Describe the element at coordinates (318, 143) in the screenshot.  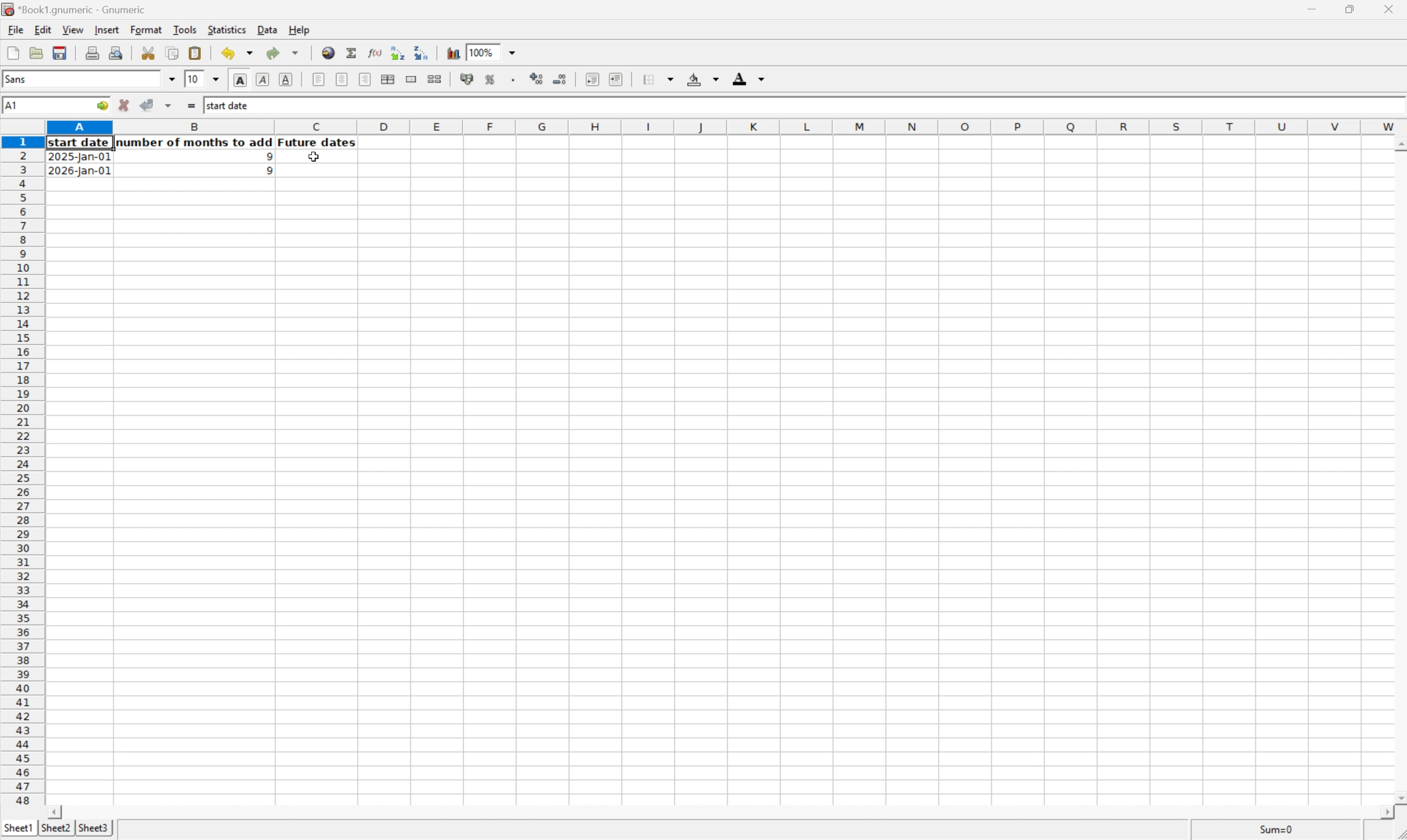
I see `future dates` at that location.